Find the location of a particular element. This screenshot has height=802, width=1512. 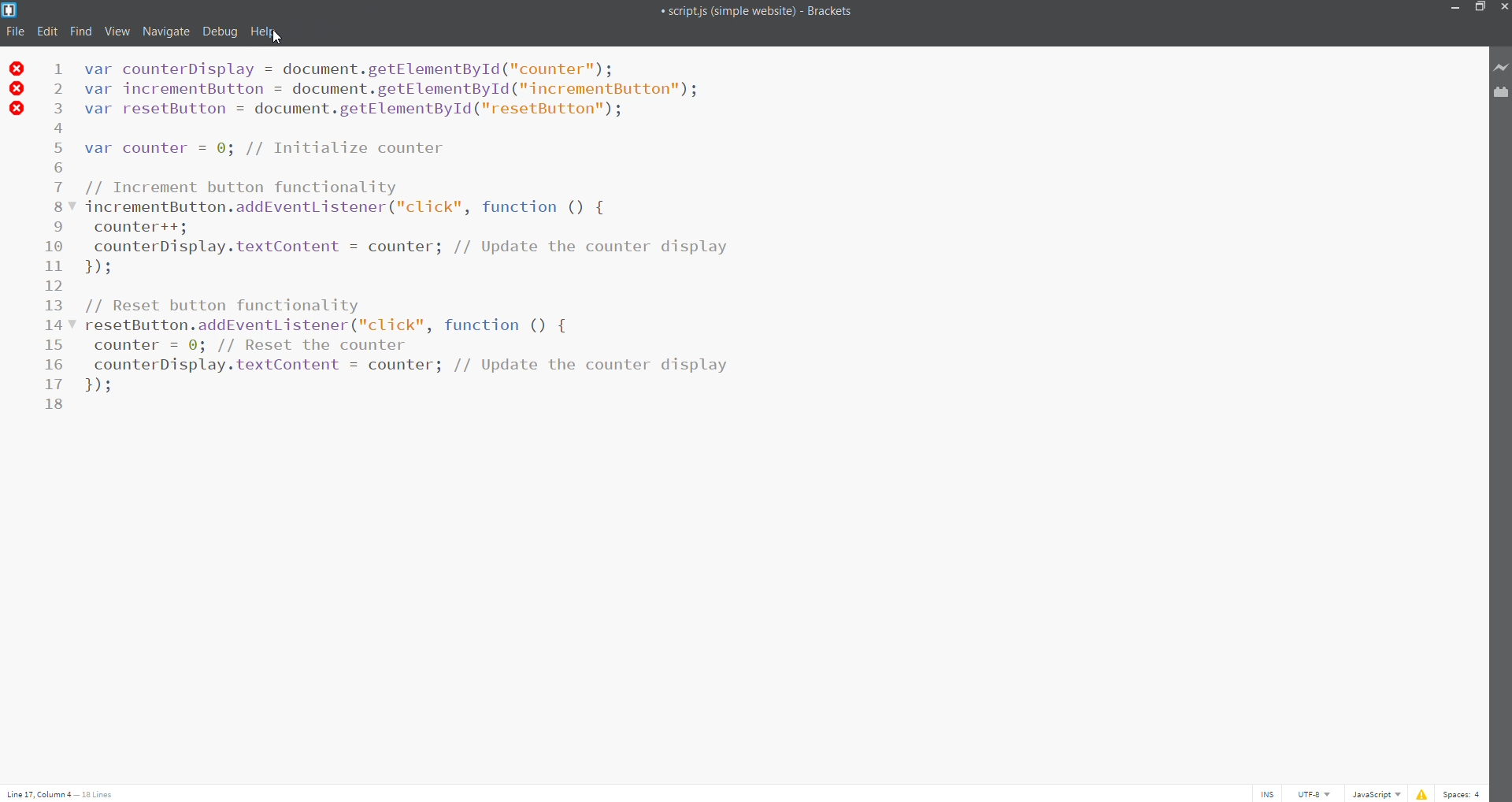

line errors is located at coordinates (17, 88).